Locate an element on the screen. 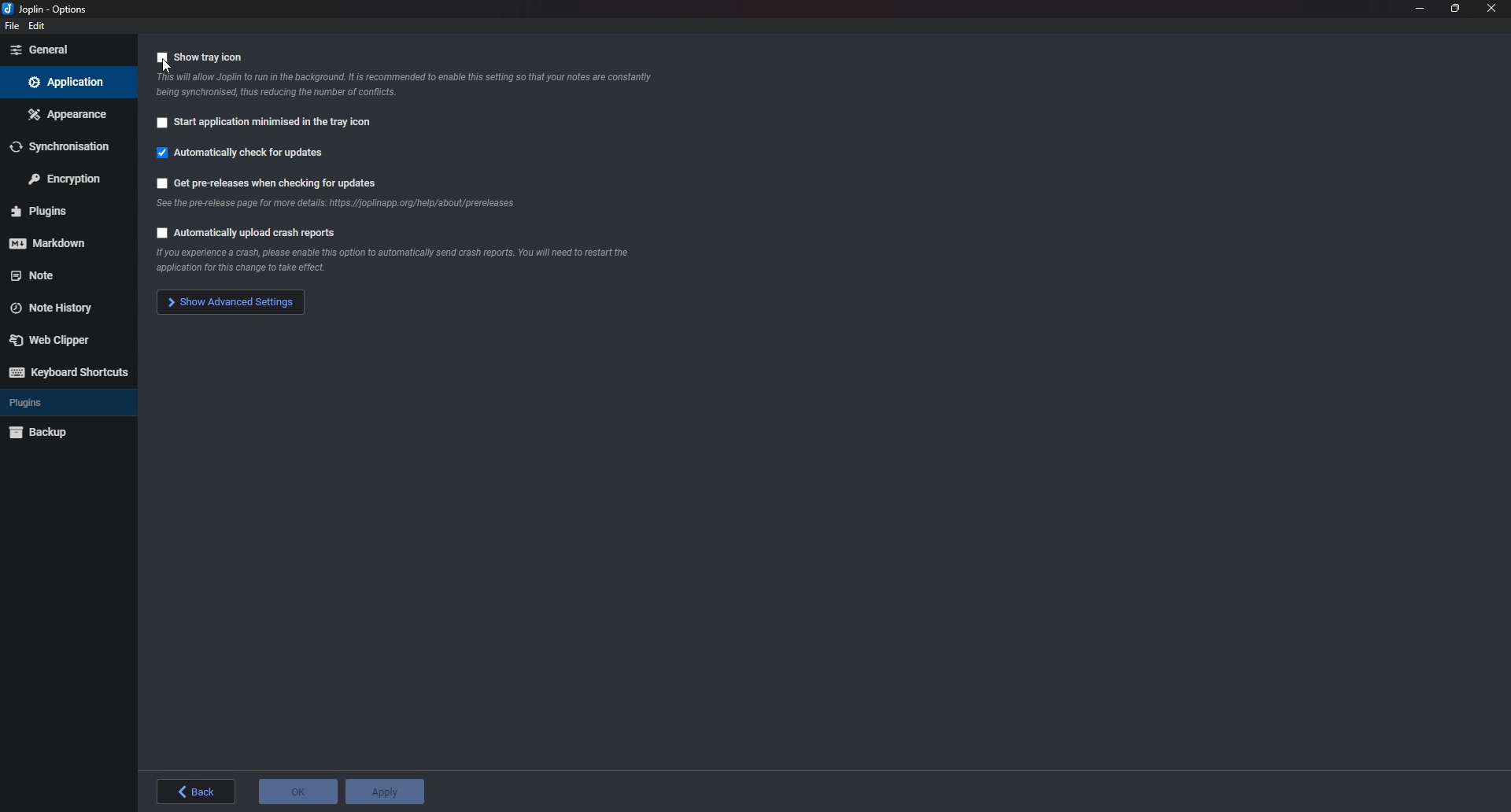  plugins is located at coordinates (61, 210).